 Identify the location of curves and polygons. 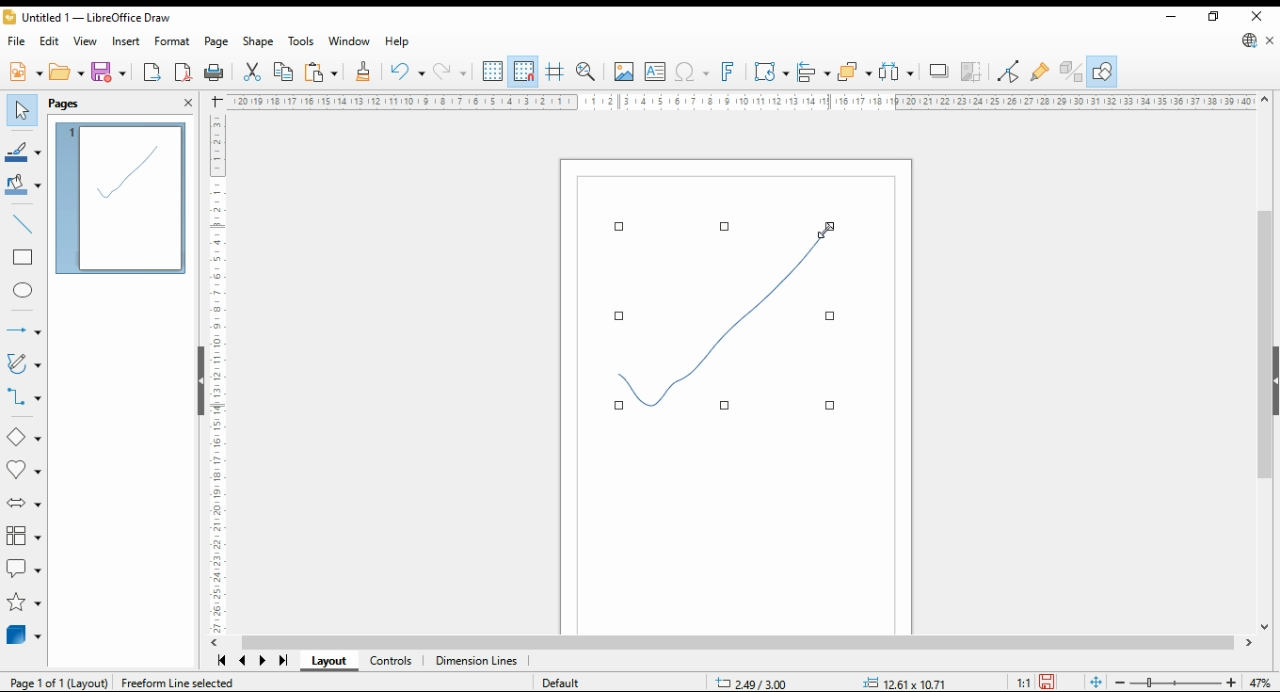
(22, 363).